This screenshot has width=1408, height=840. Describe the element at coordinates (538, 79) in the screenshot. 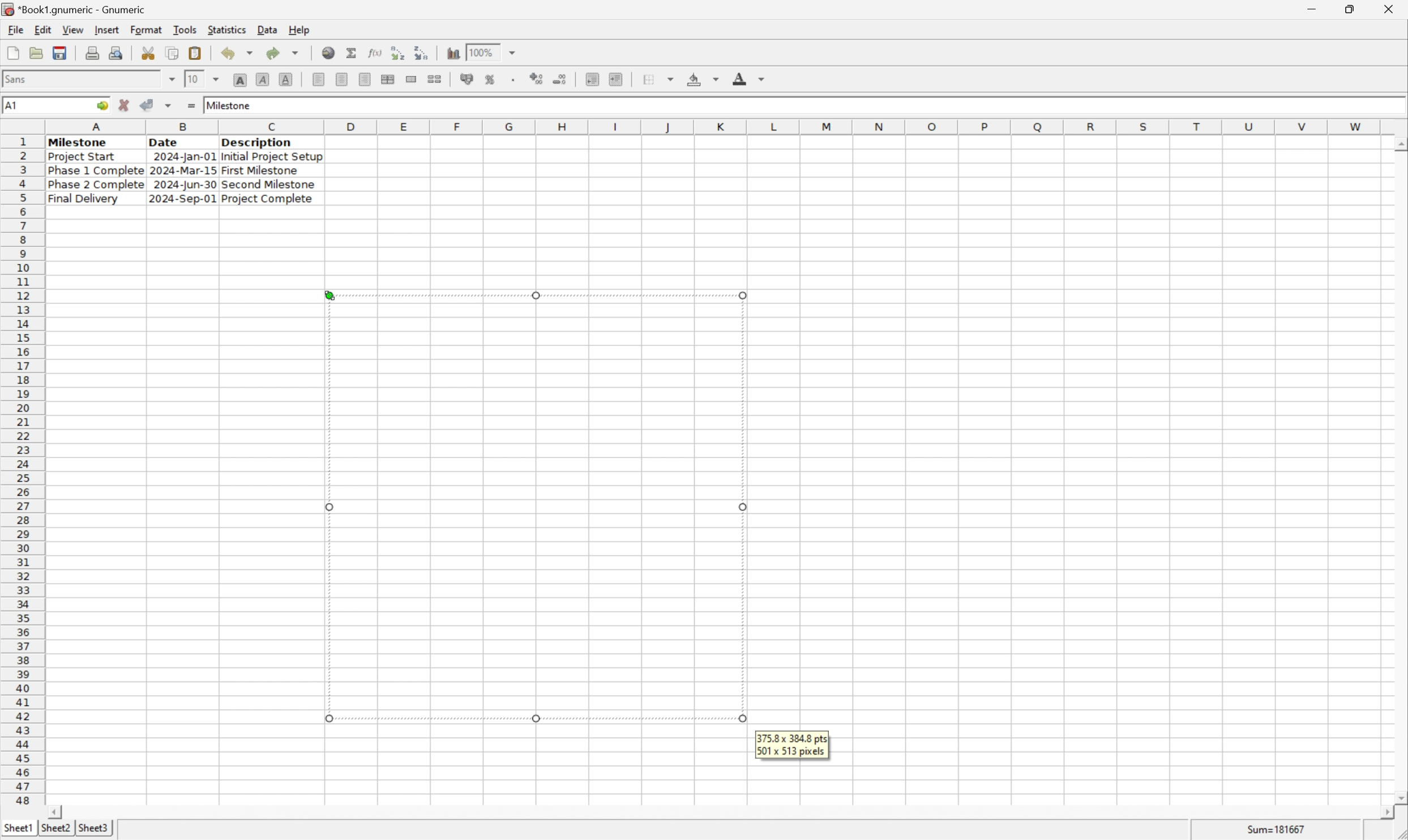

I see `increase number of decimals displayed` at that location.